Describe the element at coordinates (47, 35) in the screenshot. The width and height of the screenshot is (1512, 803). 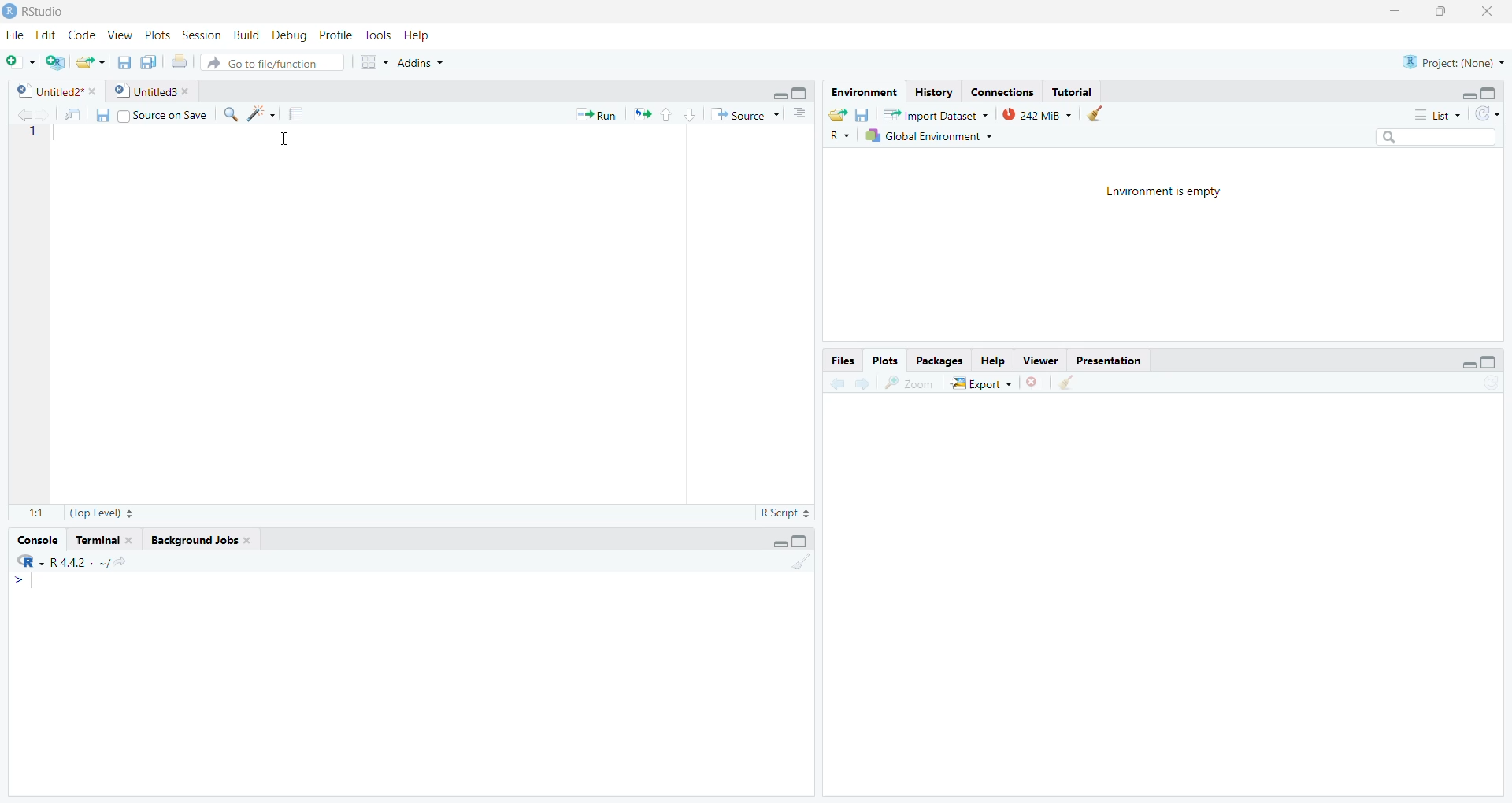
I see `Edit` at that location.